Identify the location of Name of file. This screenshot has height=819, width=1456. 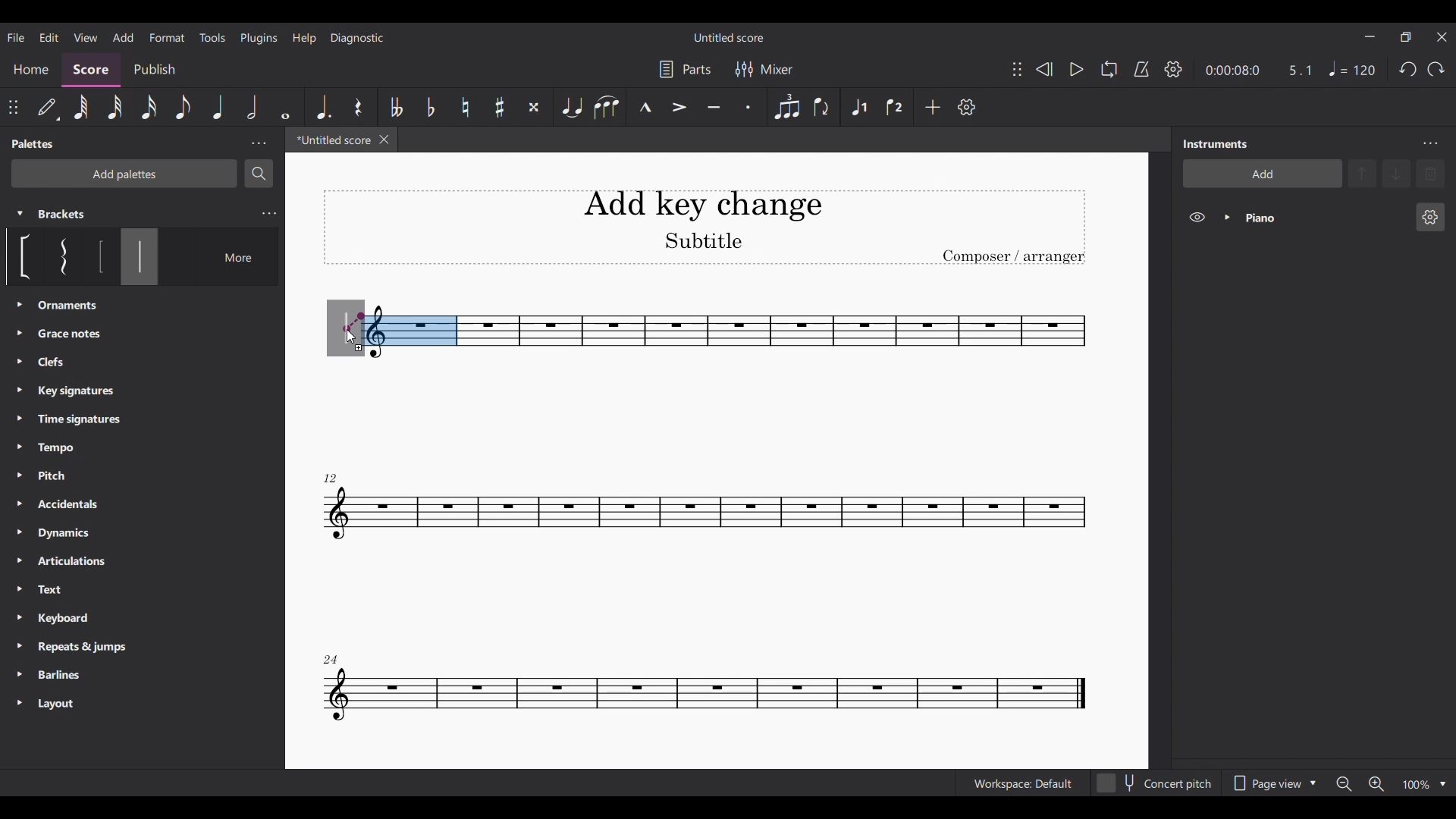
(730, 37).